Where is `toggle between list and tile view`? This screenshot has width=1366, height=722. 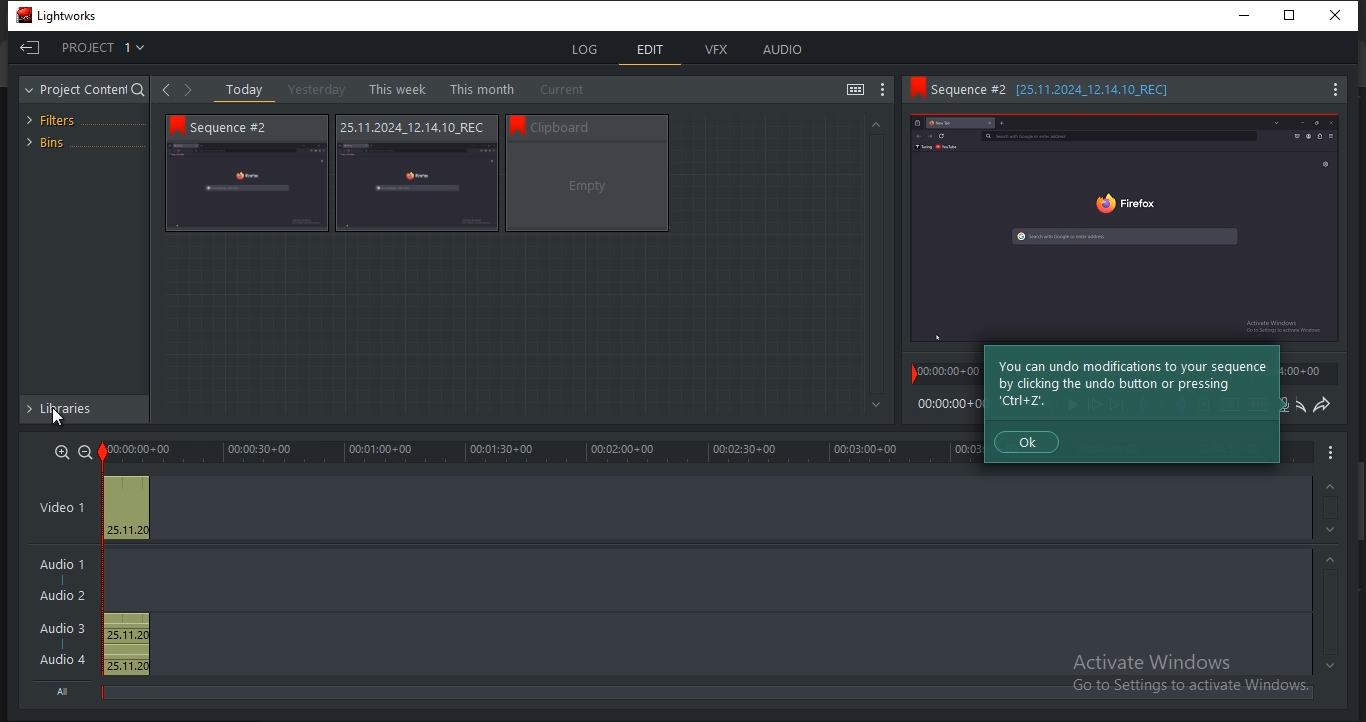
toggle between list and tile view is located at coordinates (856, 89).